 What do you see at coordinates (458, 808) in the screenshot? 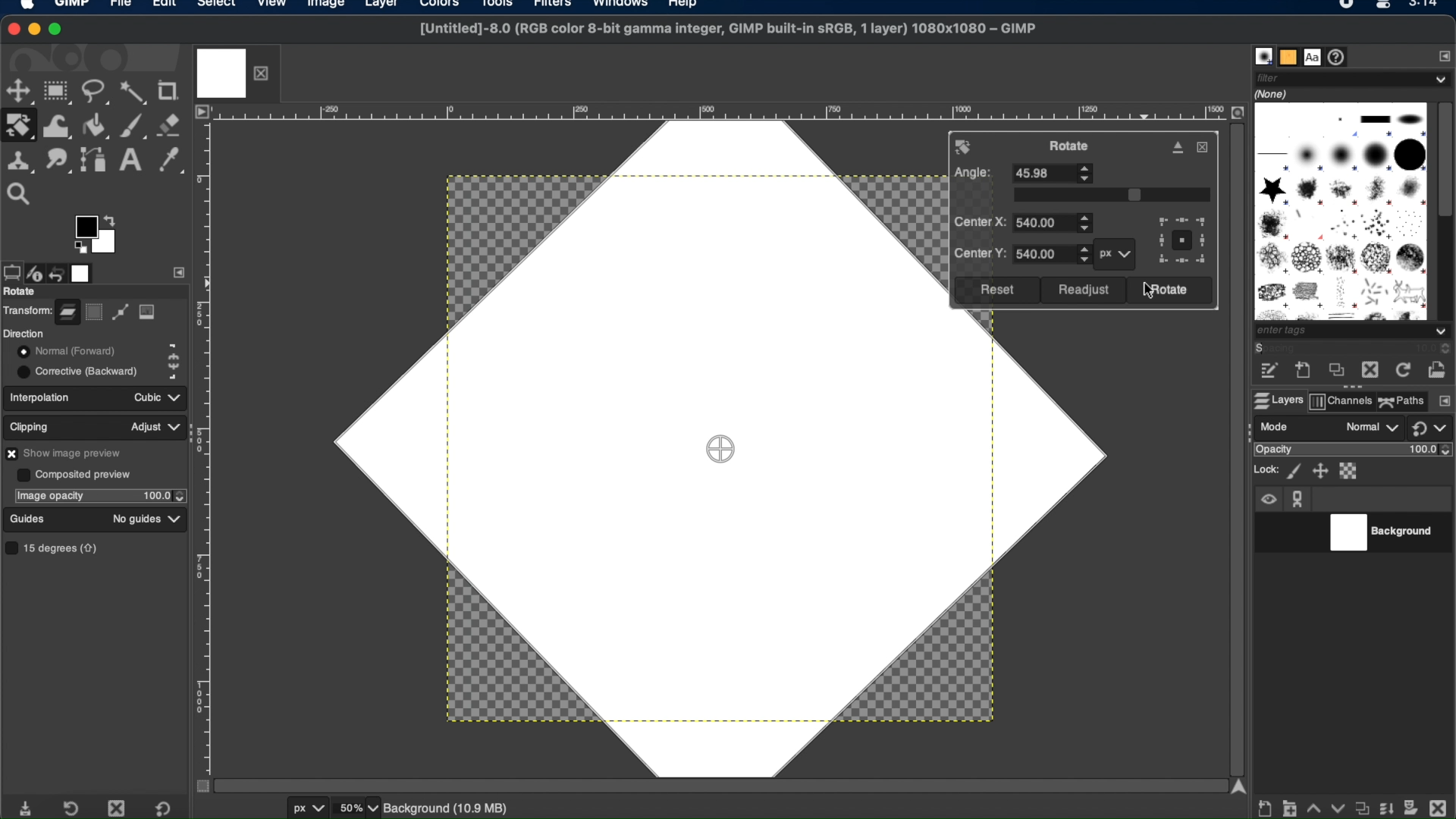
I see `background` at bounding box center [458, 808].